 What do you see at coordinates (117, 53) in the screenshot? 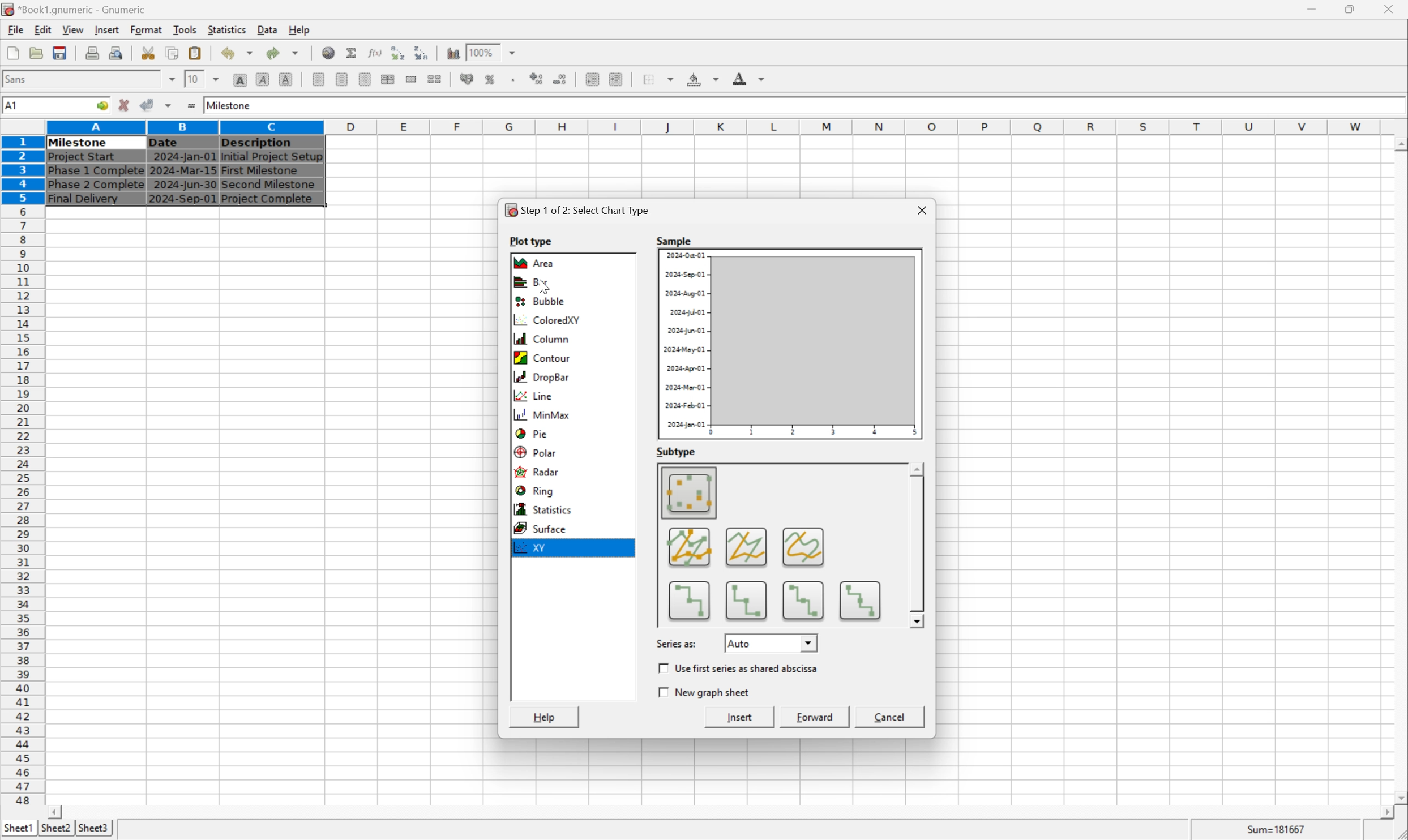
I see `quick print` at bounding box center [117, 53].